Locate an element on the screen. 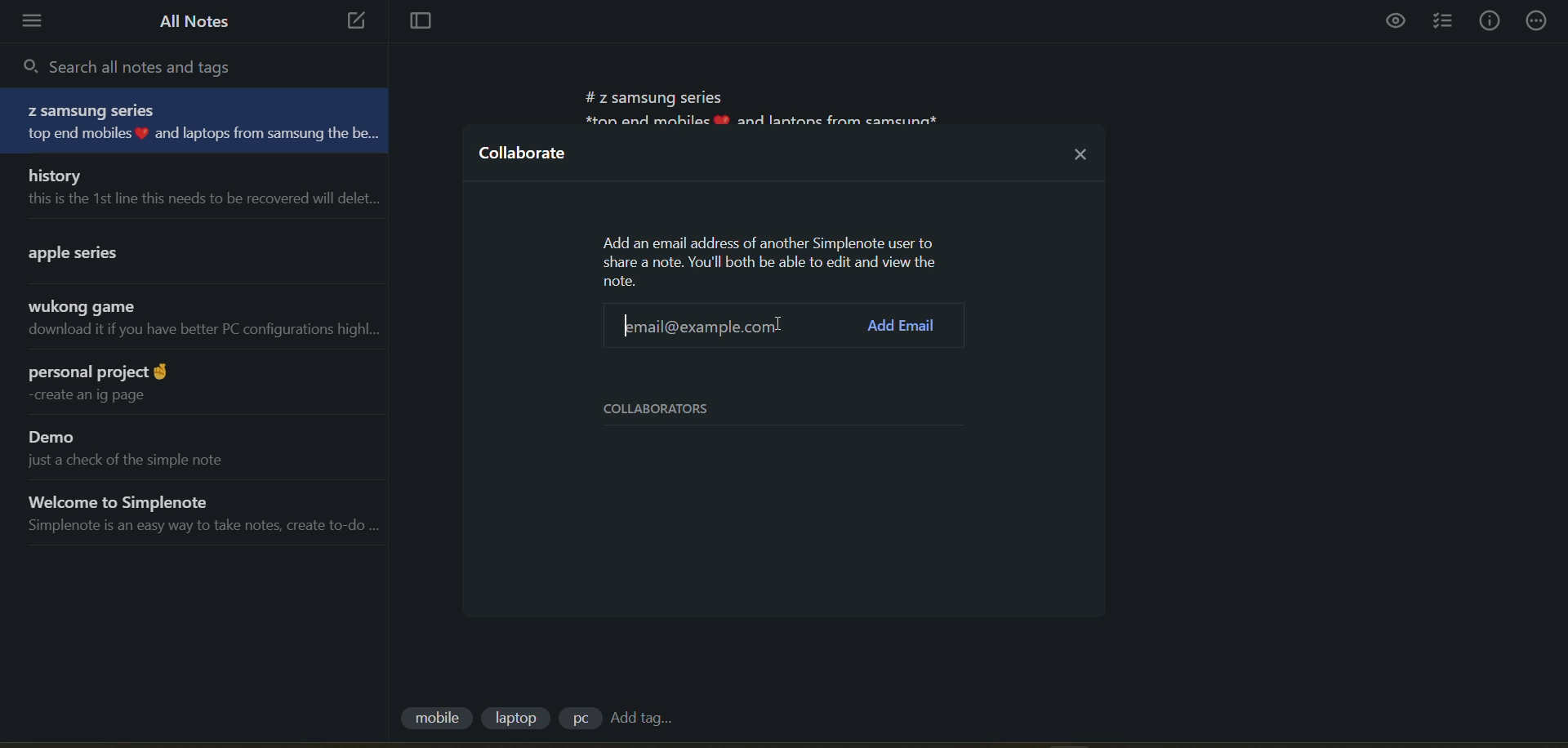  add tag is located at coordinates (640, 719).